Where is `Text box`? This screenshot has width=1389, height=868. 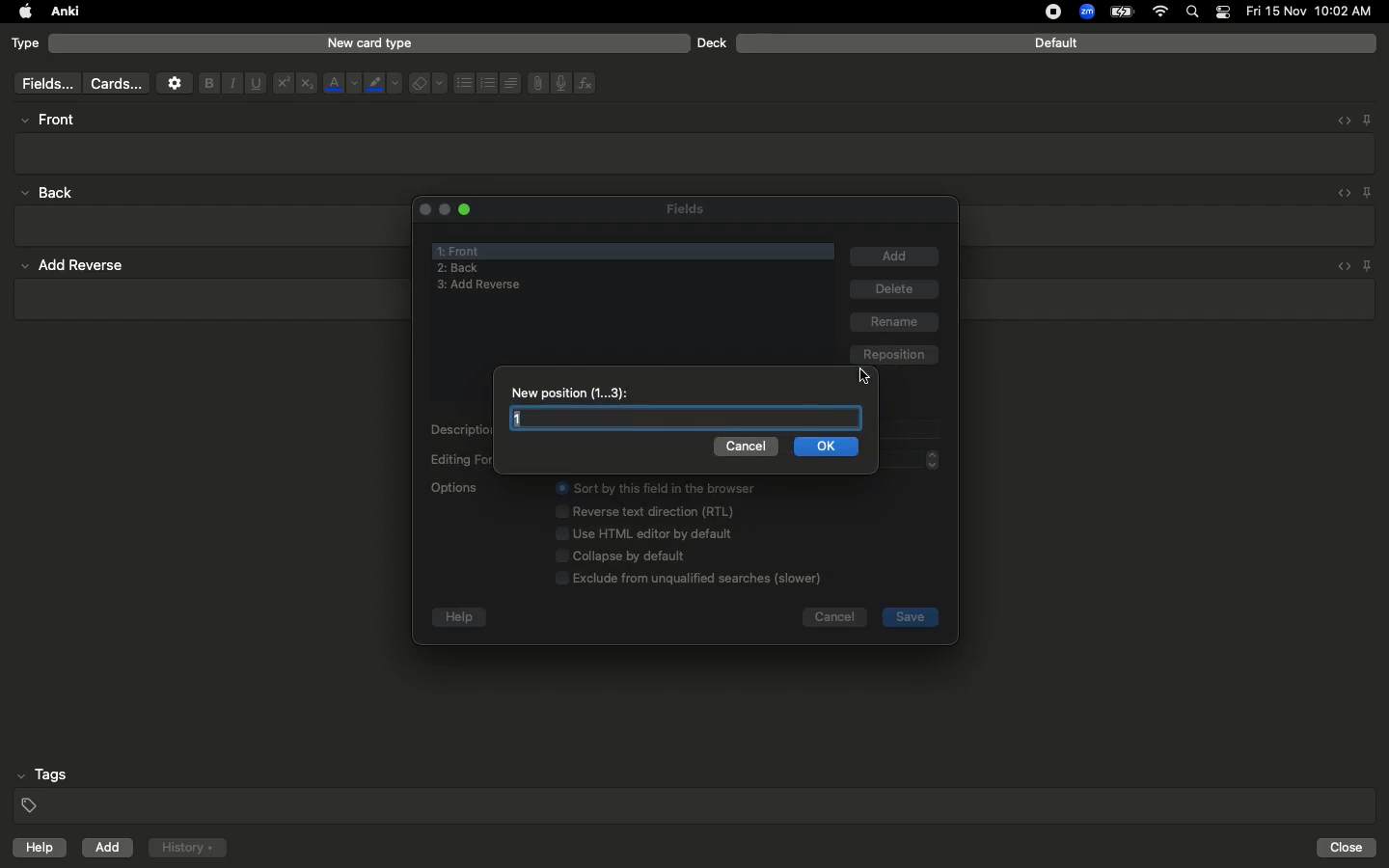
Text box is located at coordinates (688, 418).